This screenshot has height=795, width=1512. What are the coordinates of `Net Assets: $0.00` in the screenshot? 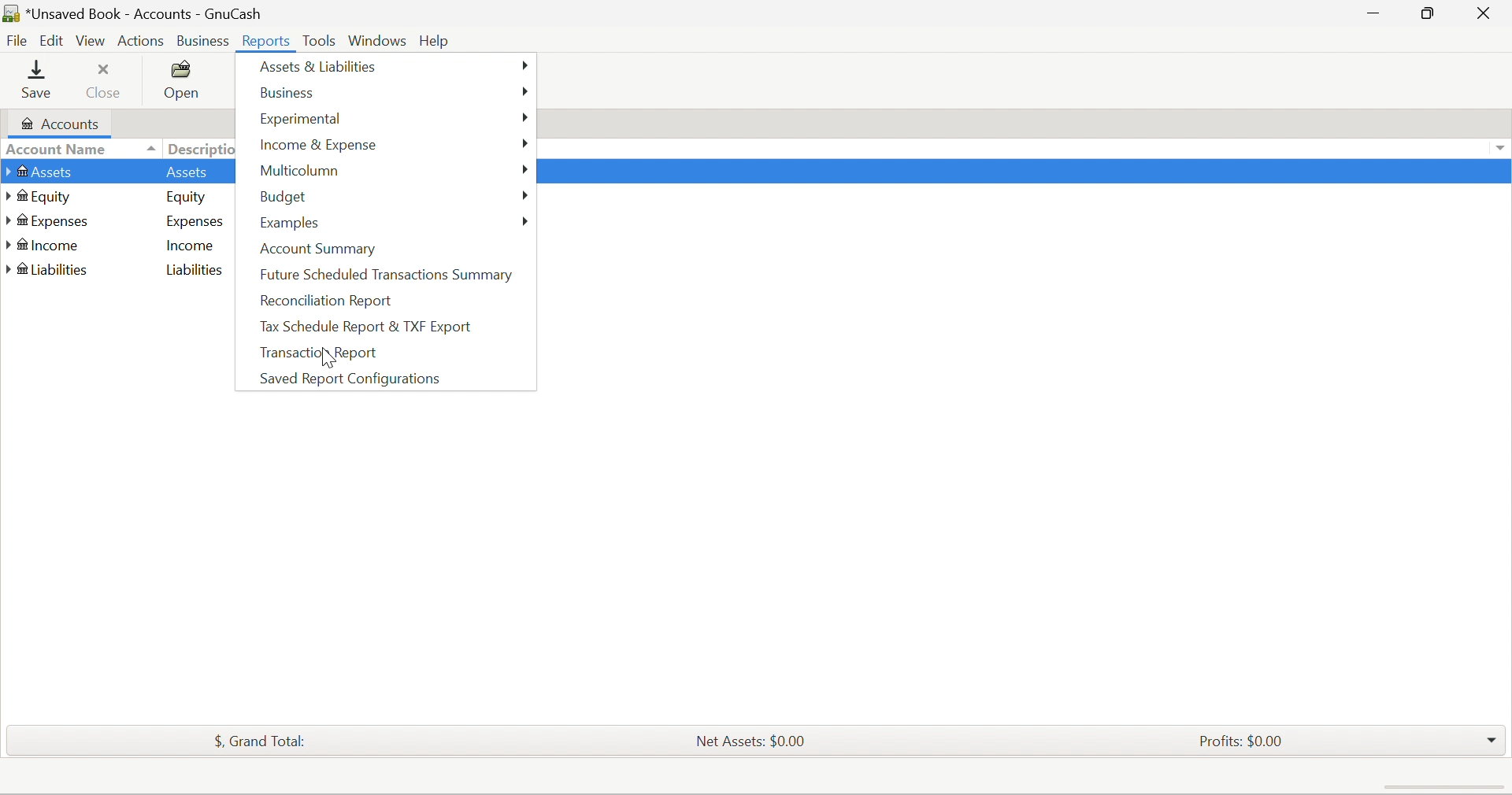 It's located at (746, 741).